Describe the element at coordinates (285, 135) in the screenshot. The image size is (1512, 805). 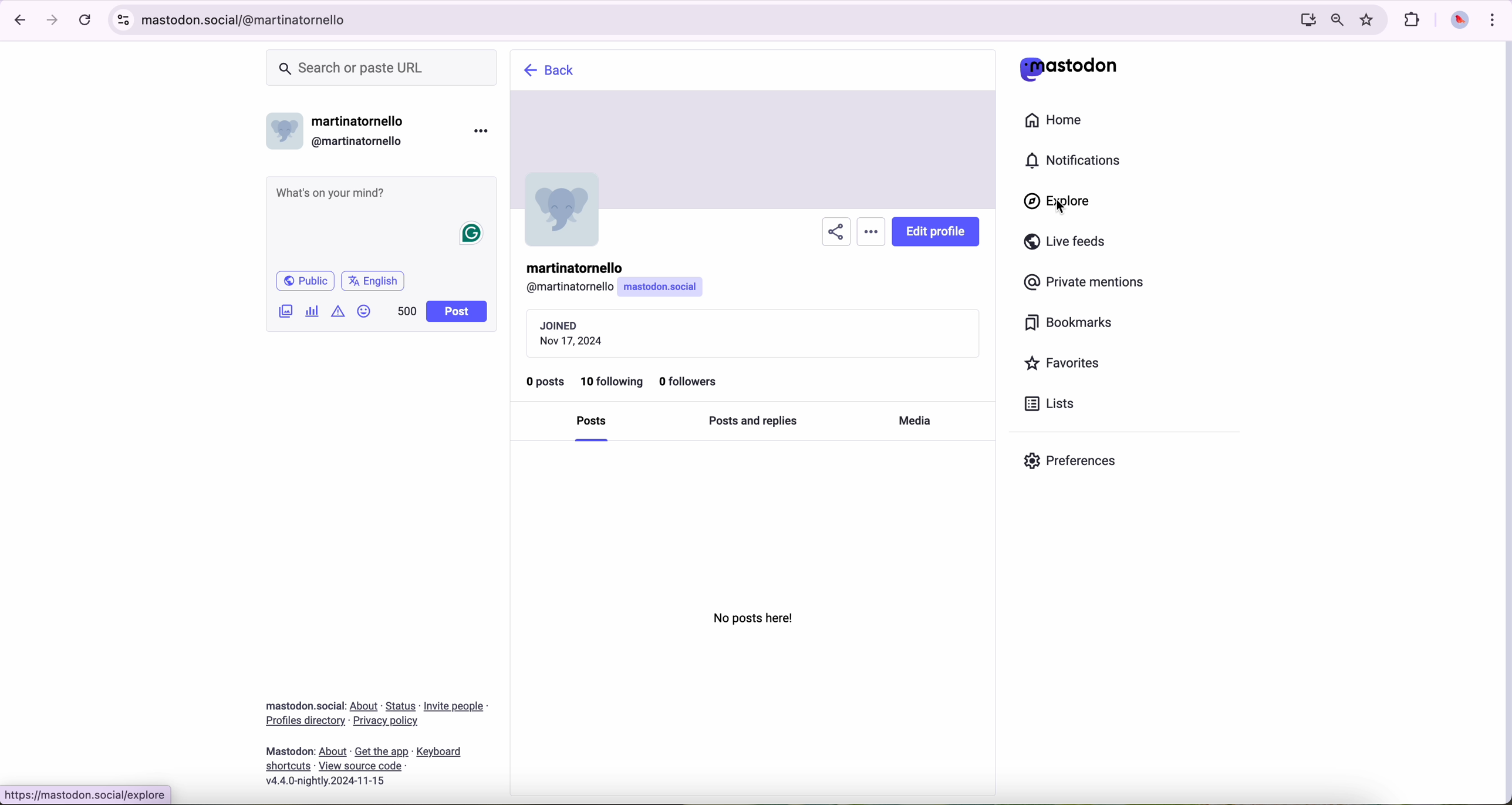
I see `profile` at that location.